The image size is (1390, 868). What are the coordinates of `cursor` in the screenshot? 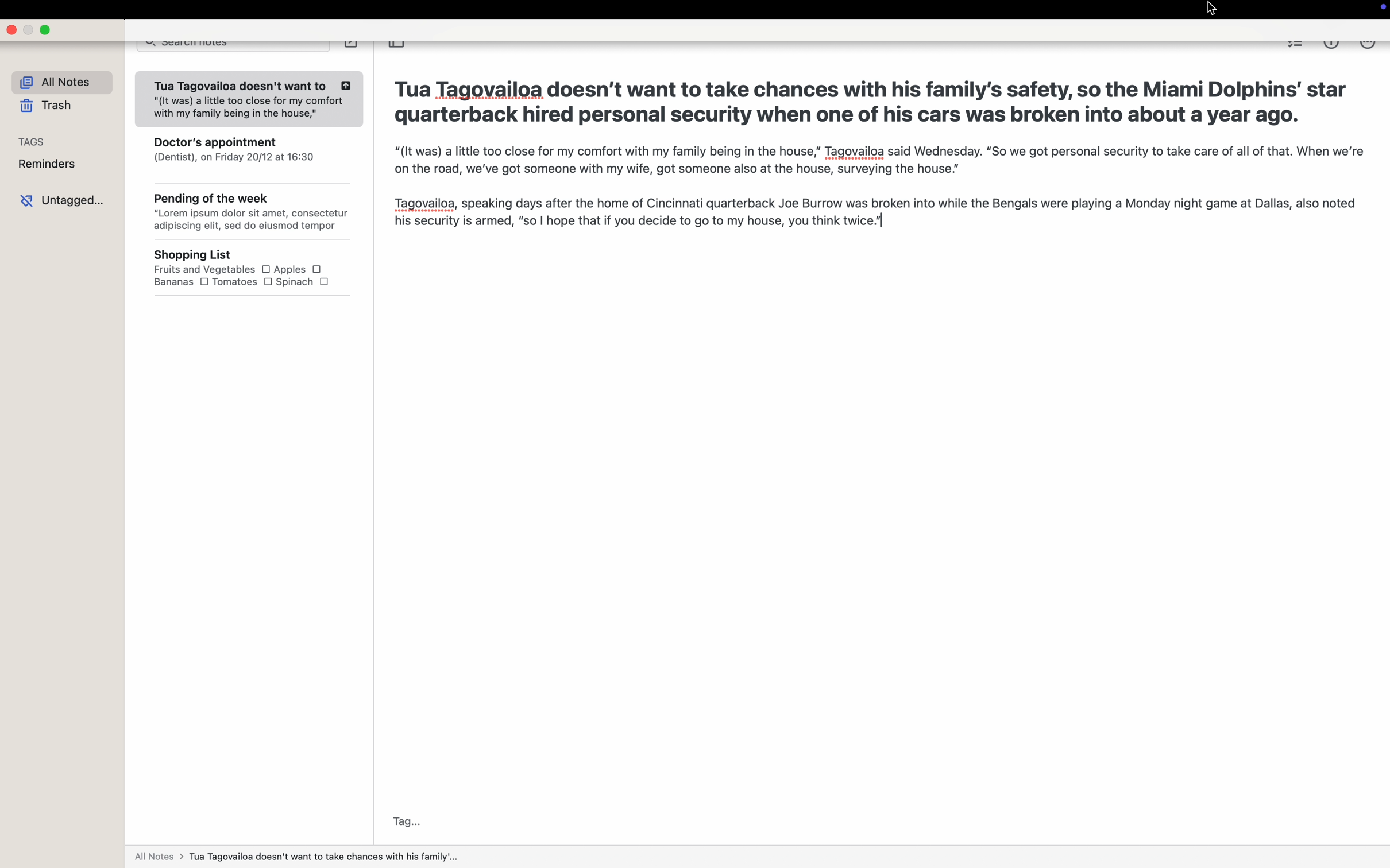 It's located at (1209, 10).